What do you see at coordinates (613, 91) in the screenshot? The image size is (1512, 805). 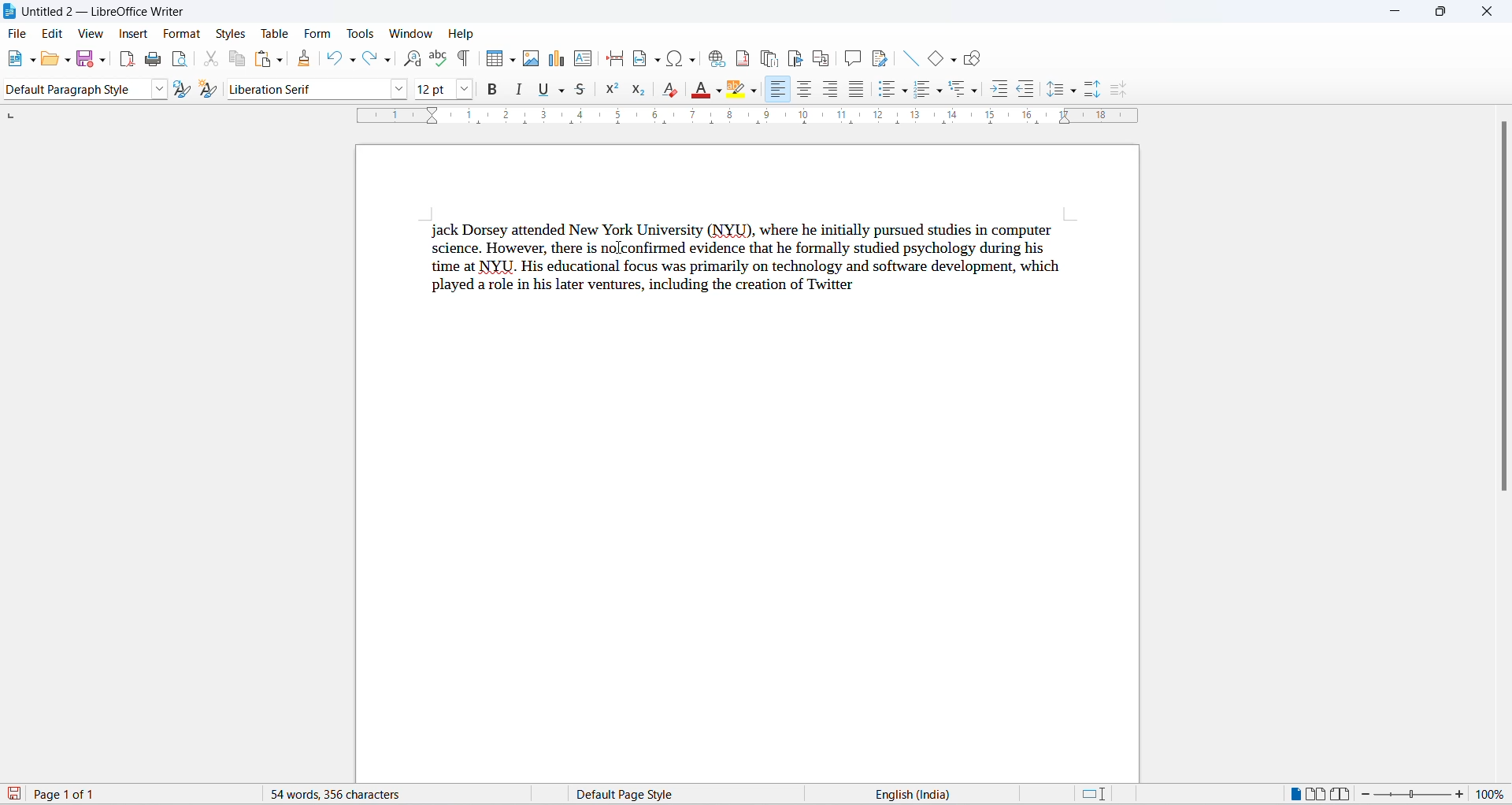 I see `superscript` at bounding box center [613, 91].